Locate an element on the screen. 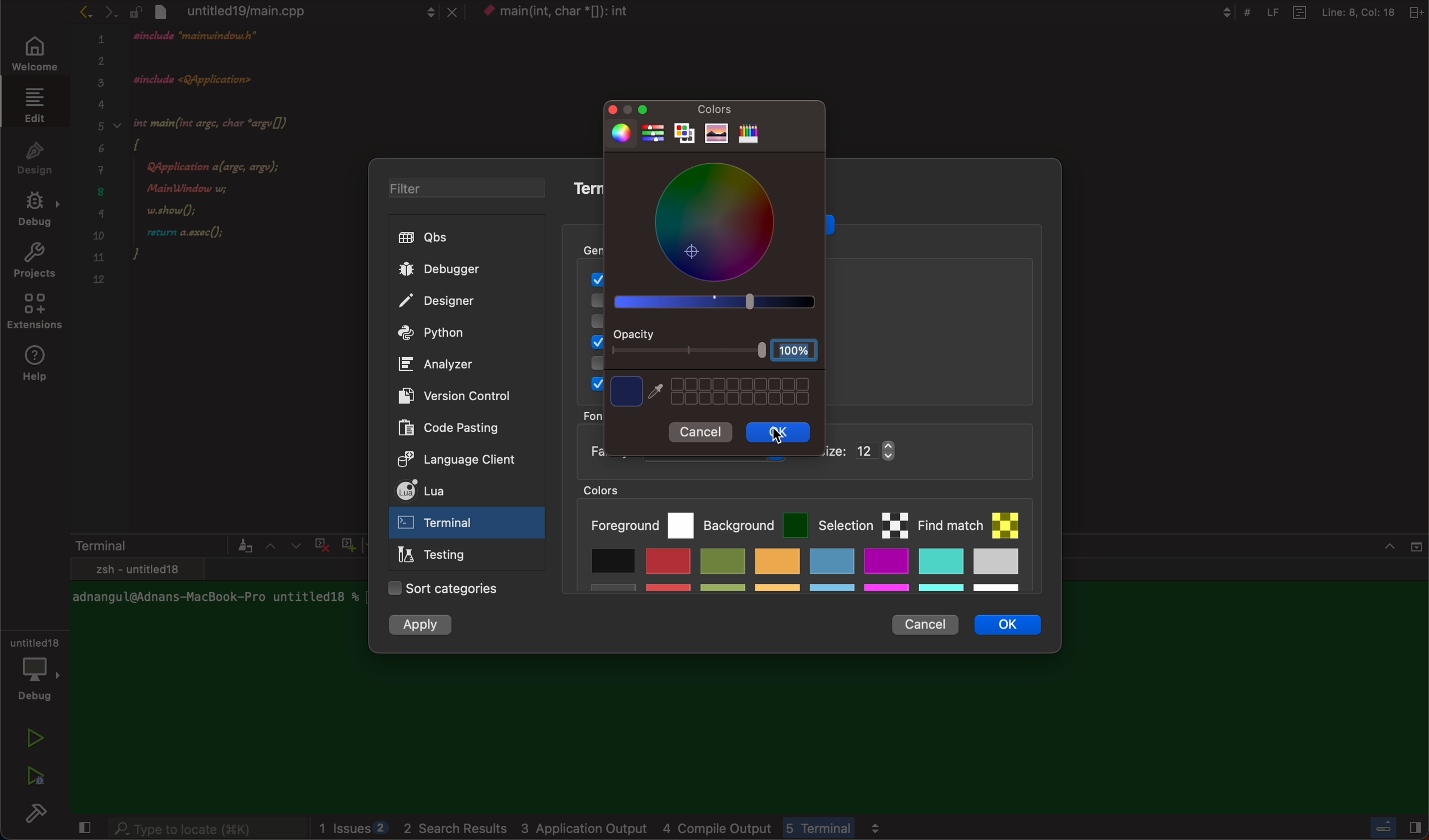  debugger is located at coordinates (34, 667).